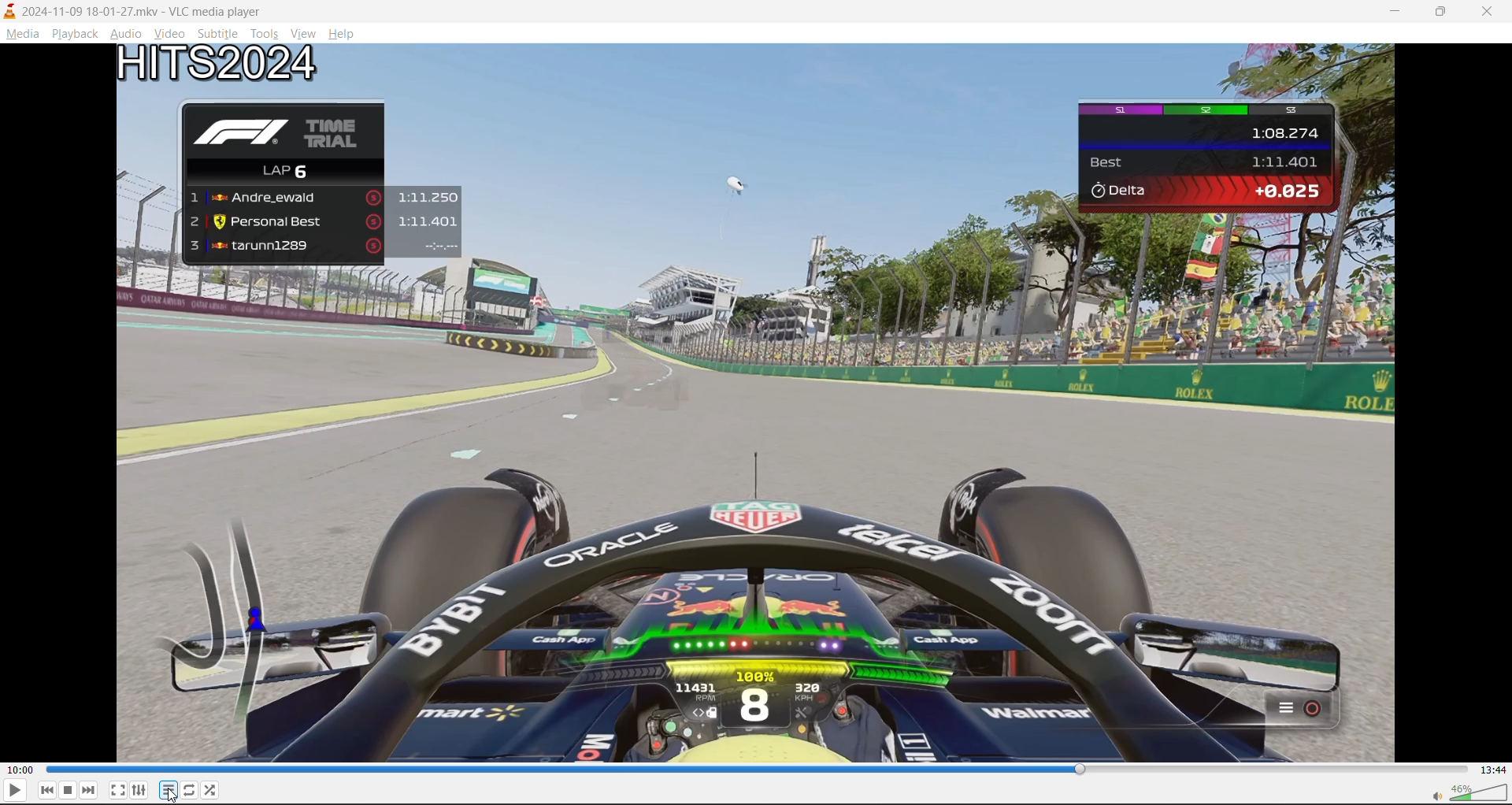 This screenshot has height=805, width=1512. Describe the element at coordinates (1489, 12) in the screenshot. I see `close` at that location.